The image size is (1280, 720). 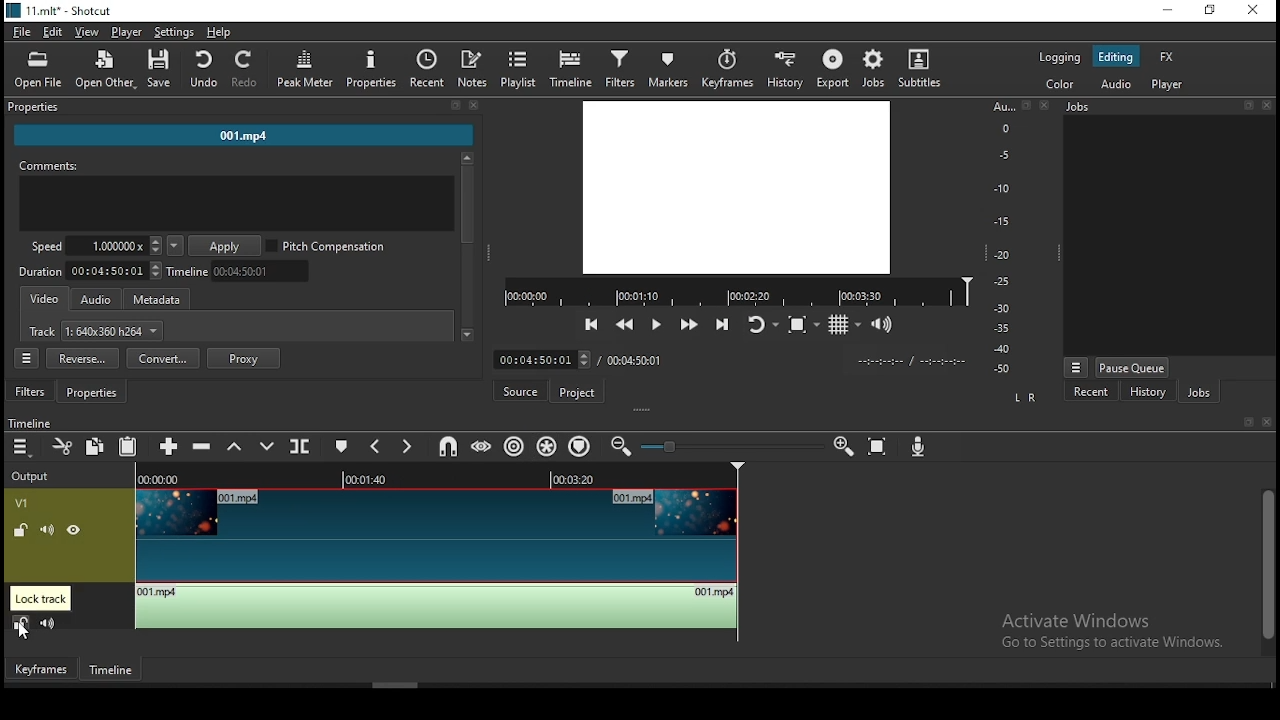 I want to click on audio, so click(x=1114, y=84).